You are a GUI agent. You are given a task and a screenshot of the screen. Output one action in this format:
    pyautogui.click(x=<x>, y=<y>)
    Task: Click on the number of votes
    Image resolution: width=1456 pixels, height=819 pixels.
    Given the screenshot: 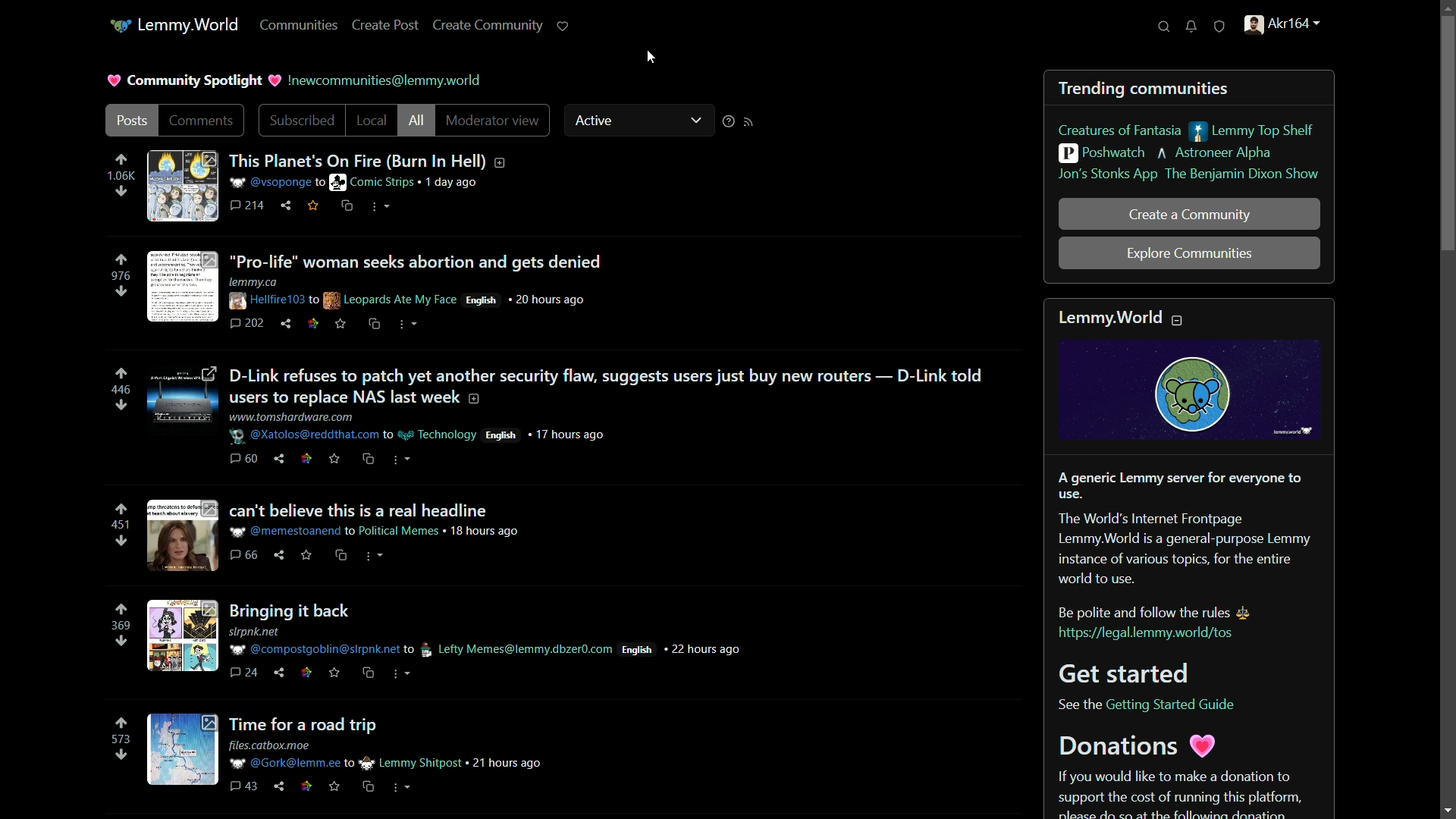 What is the action you would take?
    pyautogui.click(x=121, y=626)
    